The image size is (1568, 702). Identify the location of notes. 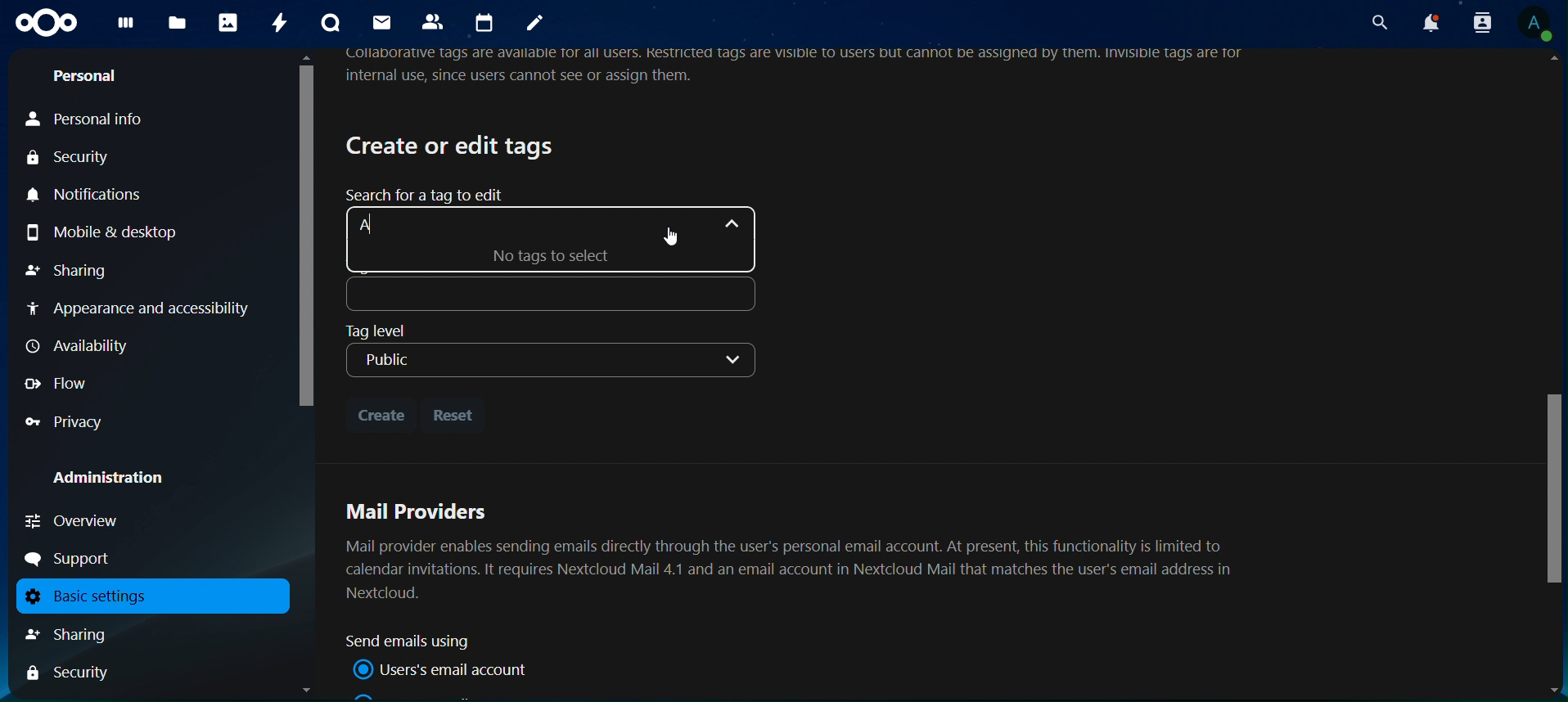
(535, 25).